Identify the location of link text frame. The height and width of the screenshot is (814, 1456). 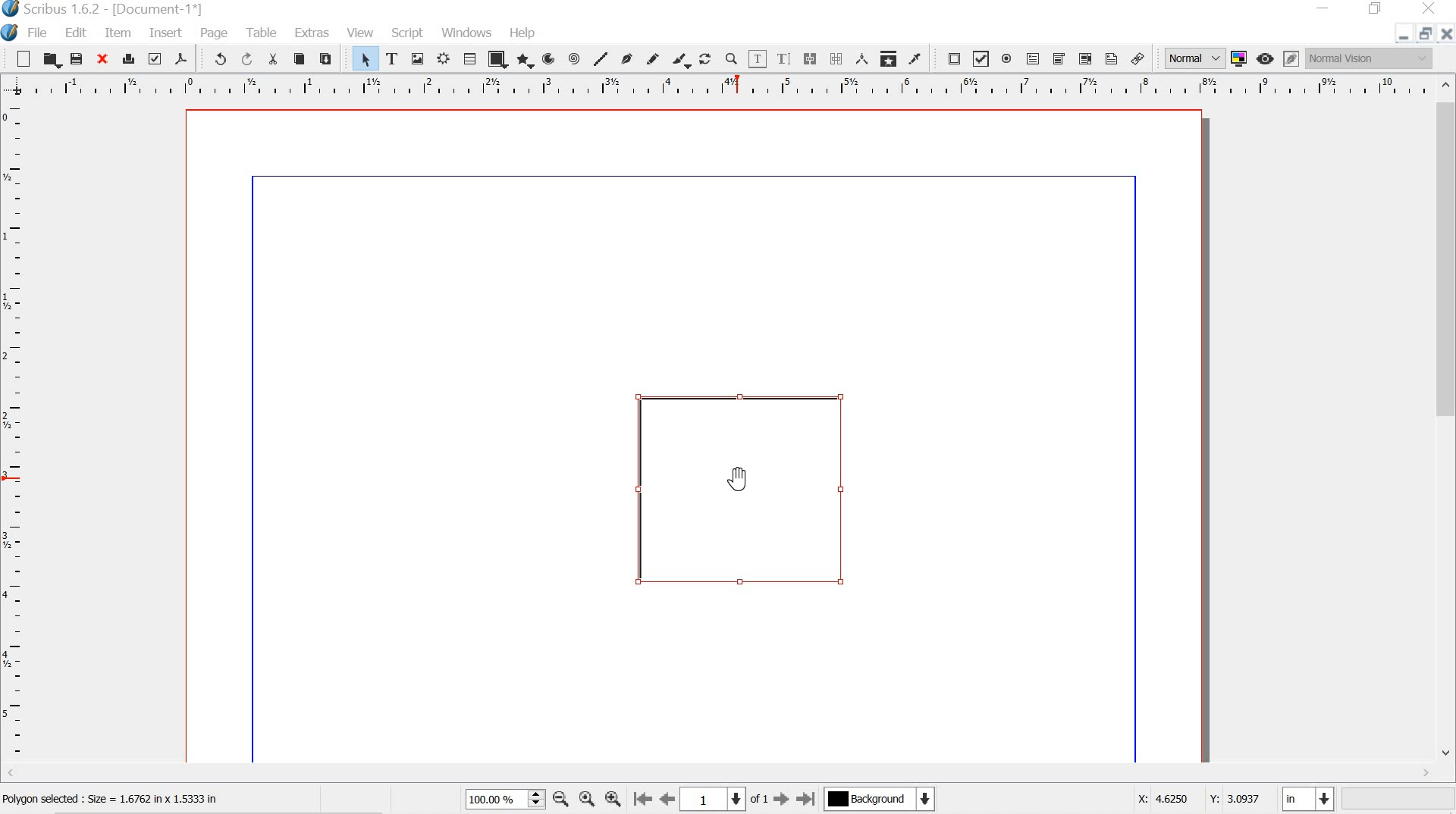
(809, 58).